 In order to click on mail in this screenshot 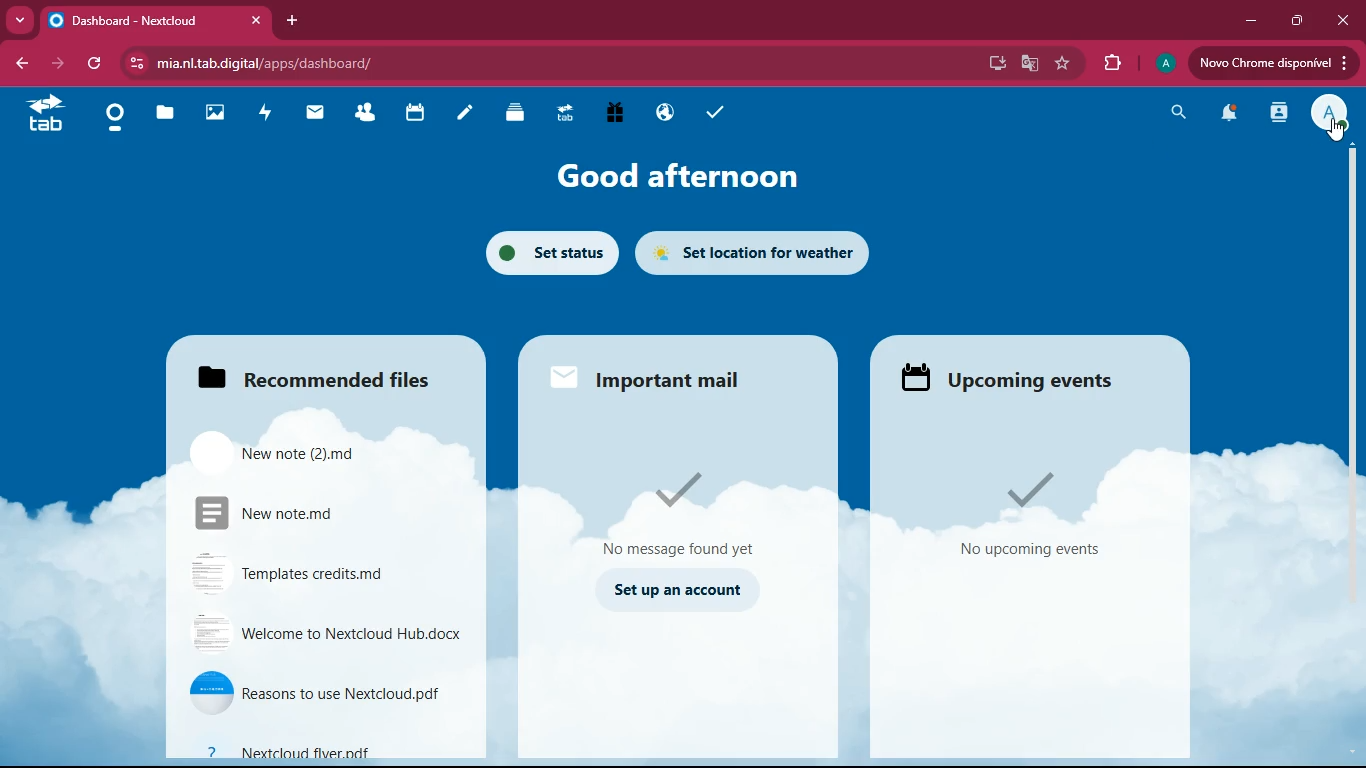, I will do `click(657, 377)`.